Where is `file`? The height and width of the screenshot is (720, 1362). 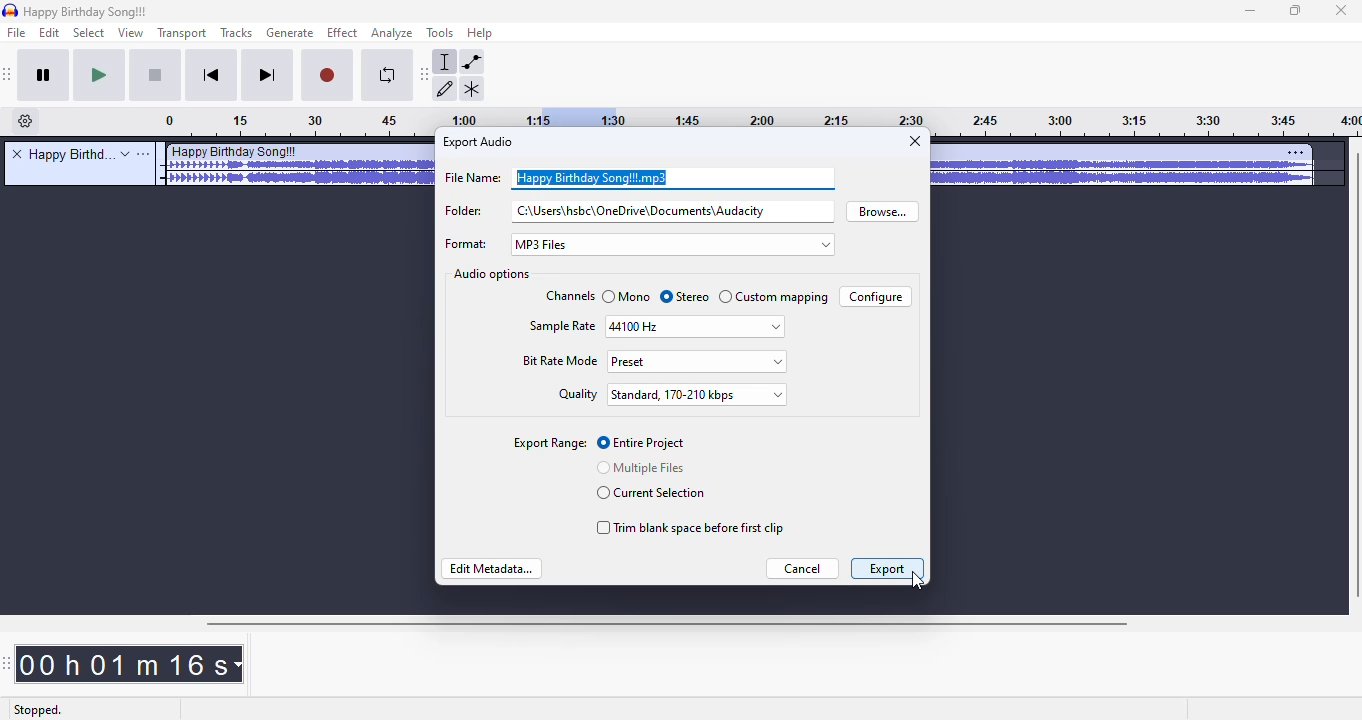
file is located at coordinates (18, 33).